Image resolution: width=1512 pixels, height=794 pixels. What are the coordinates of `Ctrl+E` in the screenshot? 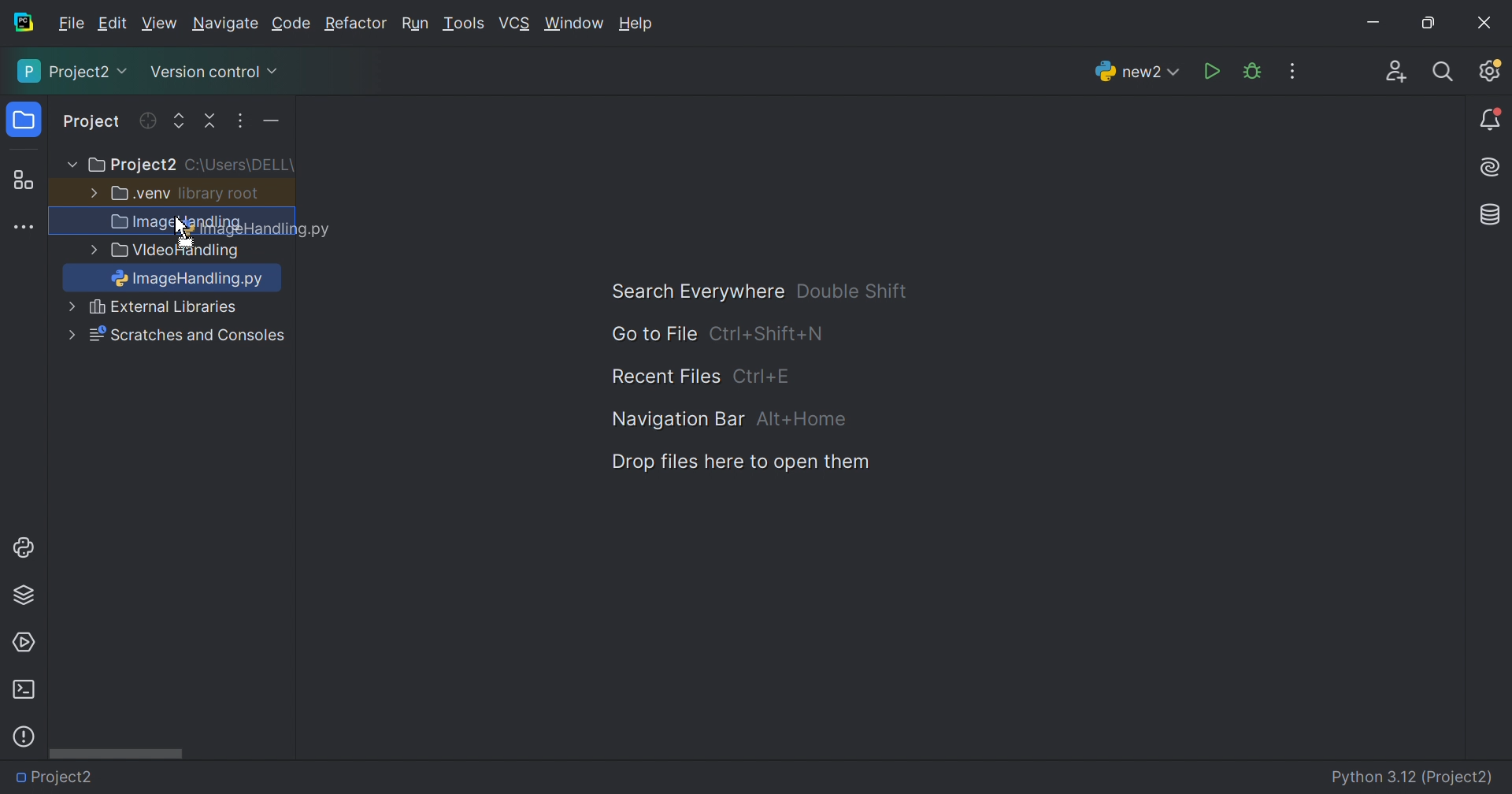 It's located at (762, 376).